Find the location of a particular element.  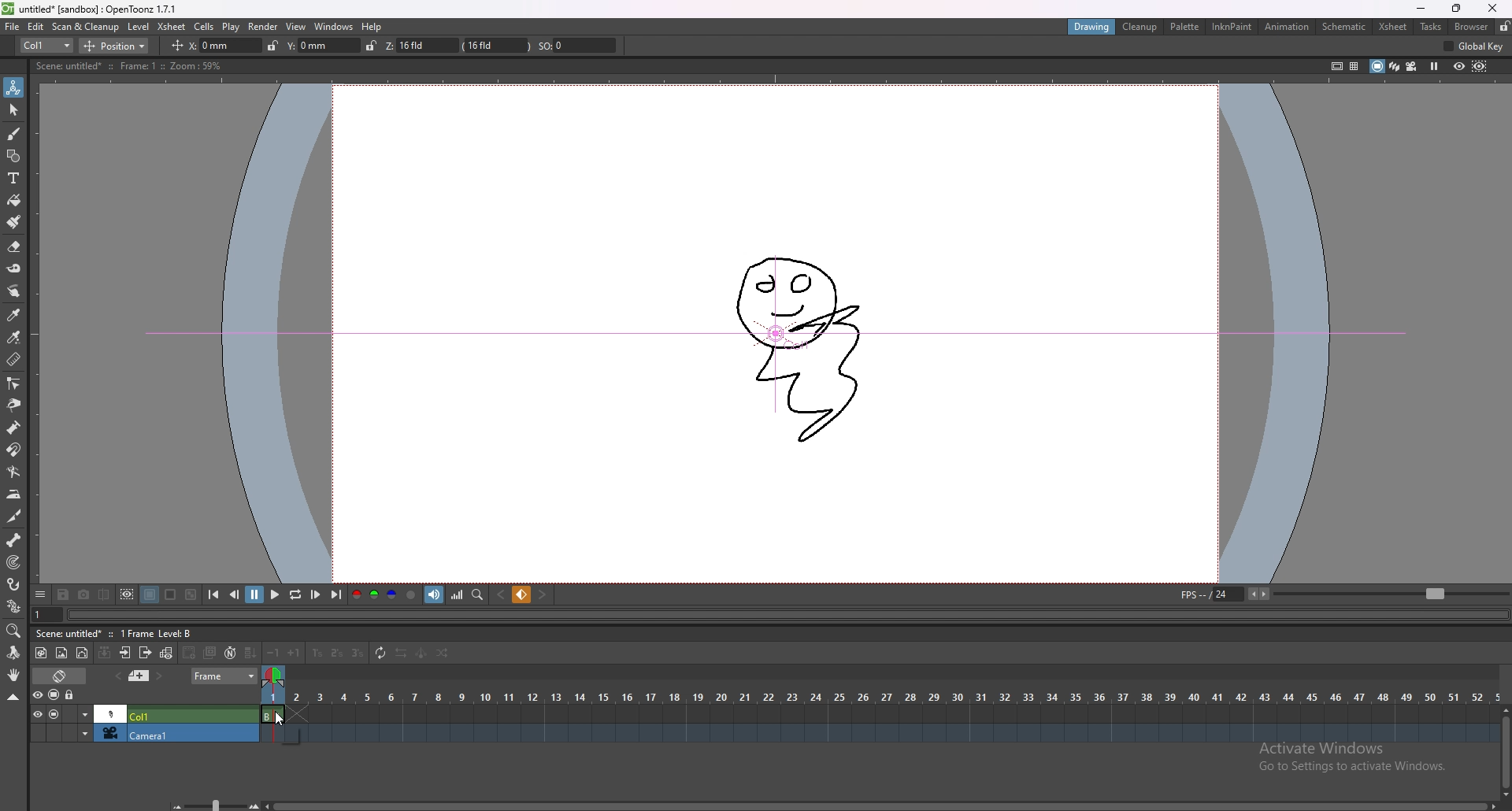

increase step is located at coordinates (296, 652).